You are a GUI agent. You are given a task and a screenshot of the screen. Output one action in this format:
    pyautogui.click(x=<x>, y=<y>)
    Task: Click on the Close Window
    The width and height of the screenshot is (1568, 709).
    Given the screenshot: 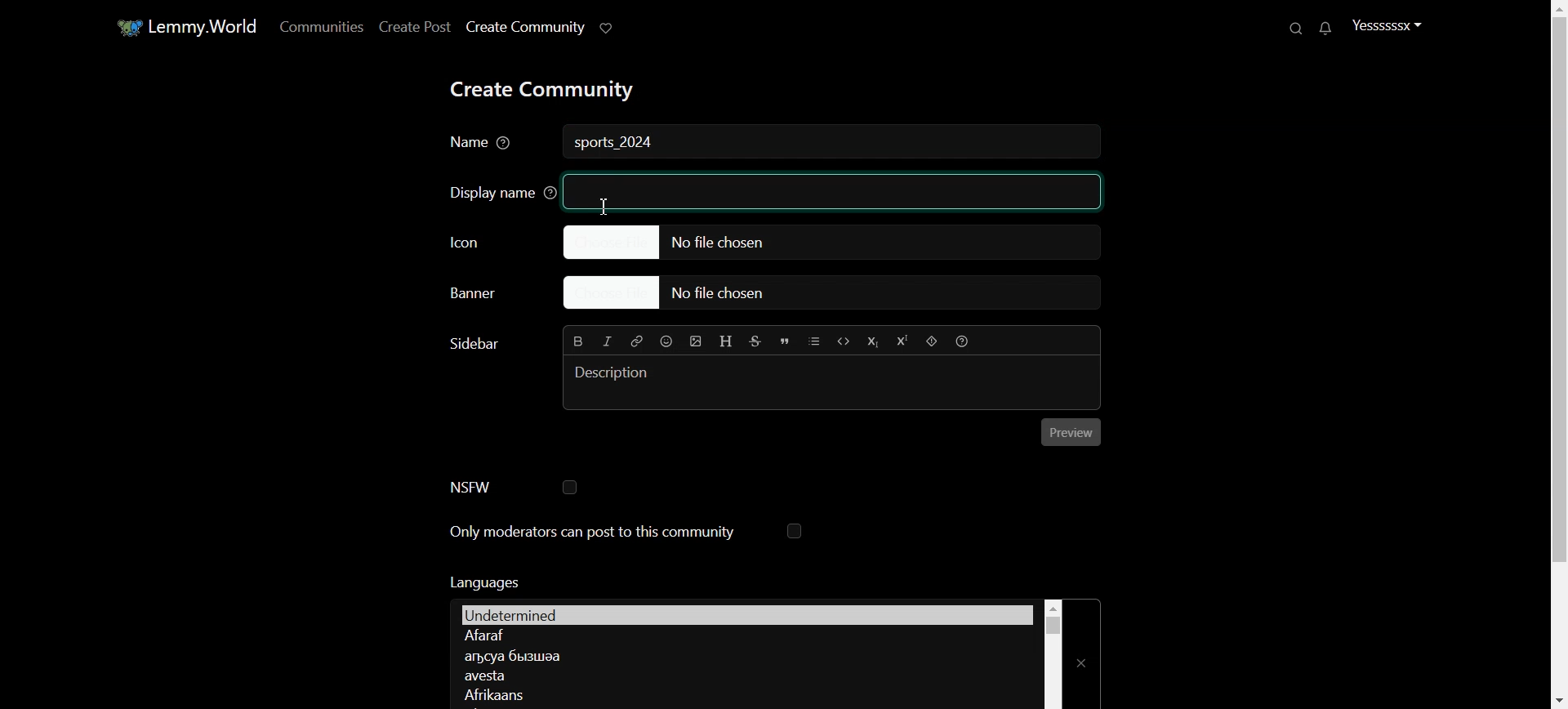 What is the action you would take?
    pyautogui.click(x=1083, y=653)
    